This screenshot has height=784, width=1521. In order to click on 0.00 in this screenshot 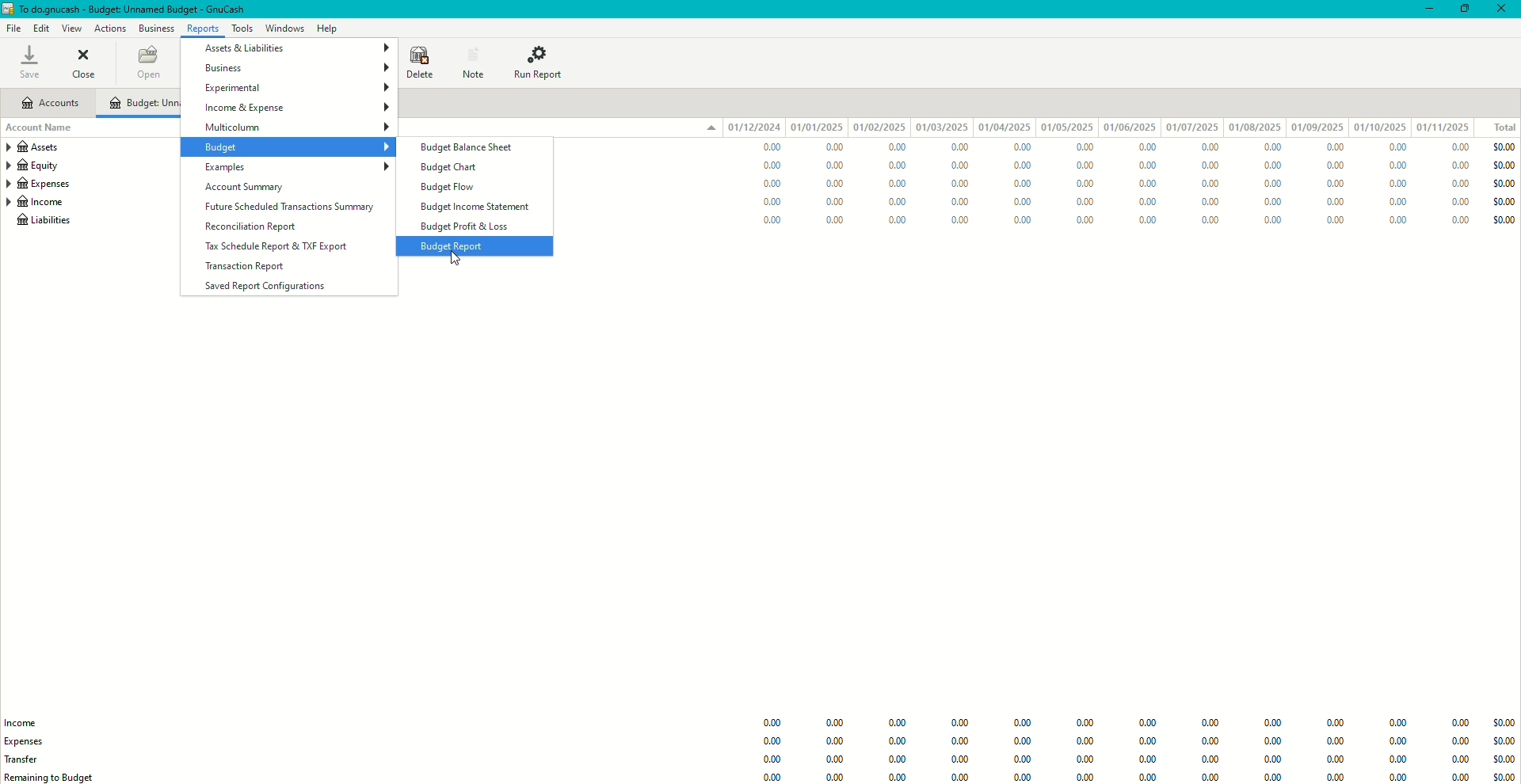, I will do `click(1207, 220)`.